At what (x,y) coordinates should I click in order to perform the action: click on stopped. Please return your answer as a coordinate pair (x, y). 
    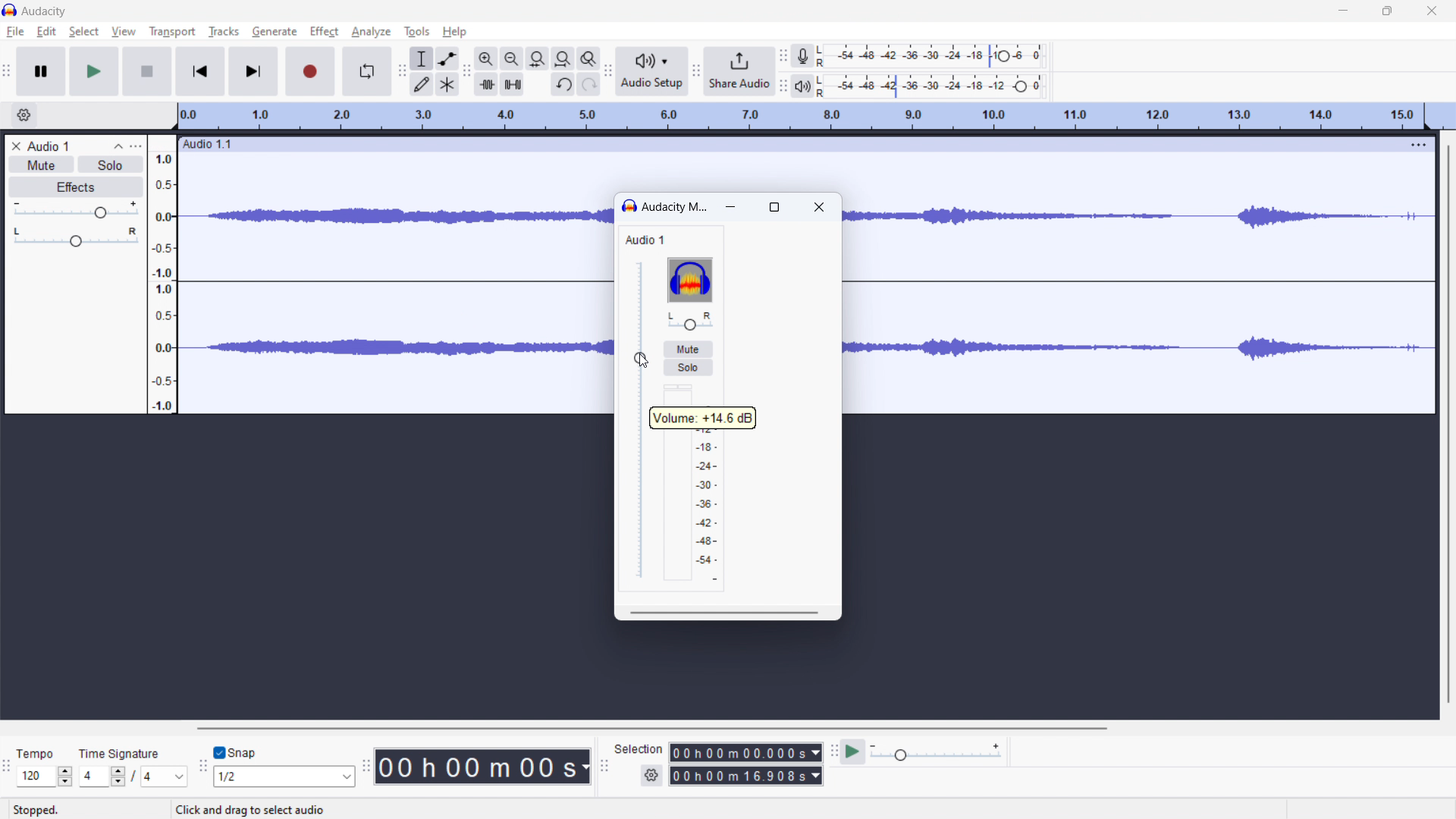
    Looking at the image, I should click on (42, 805).